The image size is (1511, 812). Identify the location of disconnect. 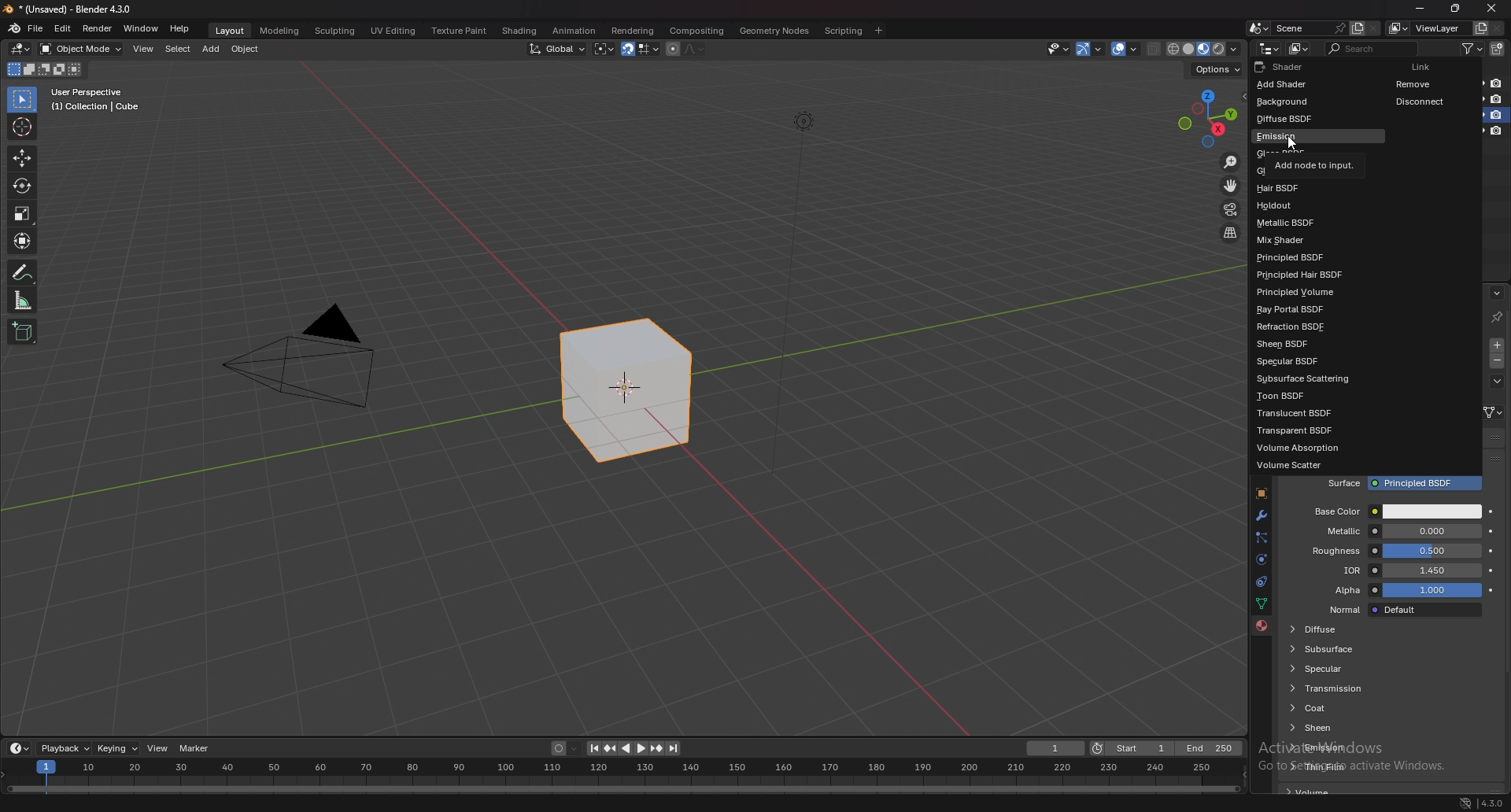
(1428, 101).